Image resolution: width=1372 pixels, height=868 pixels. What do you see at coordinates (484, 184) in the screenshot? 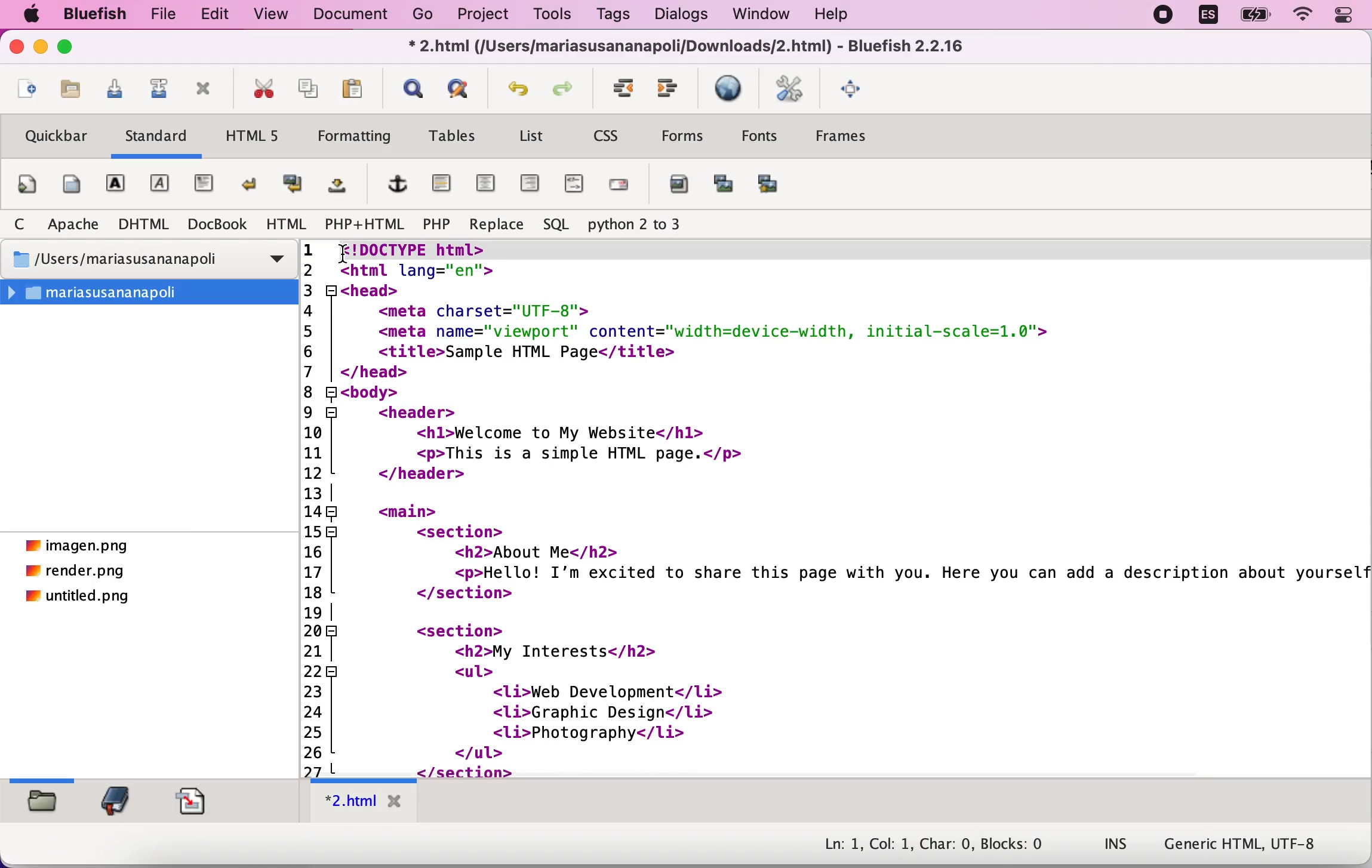
I see `center` at bounding box center [484, 184].